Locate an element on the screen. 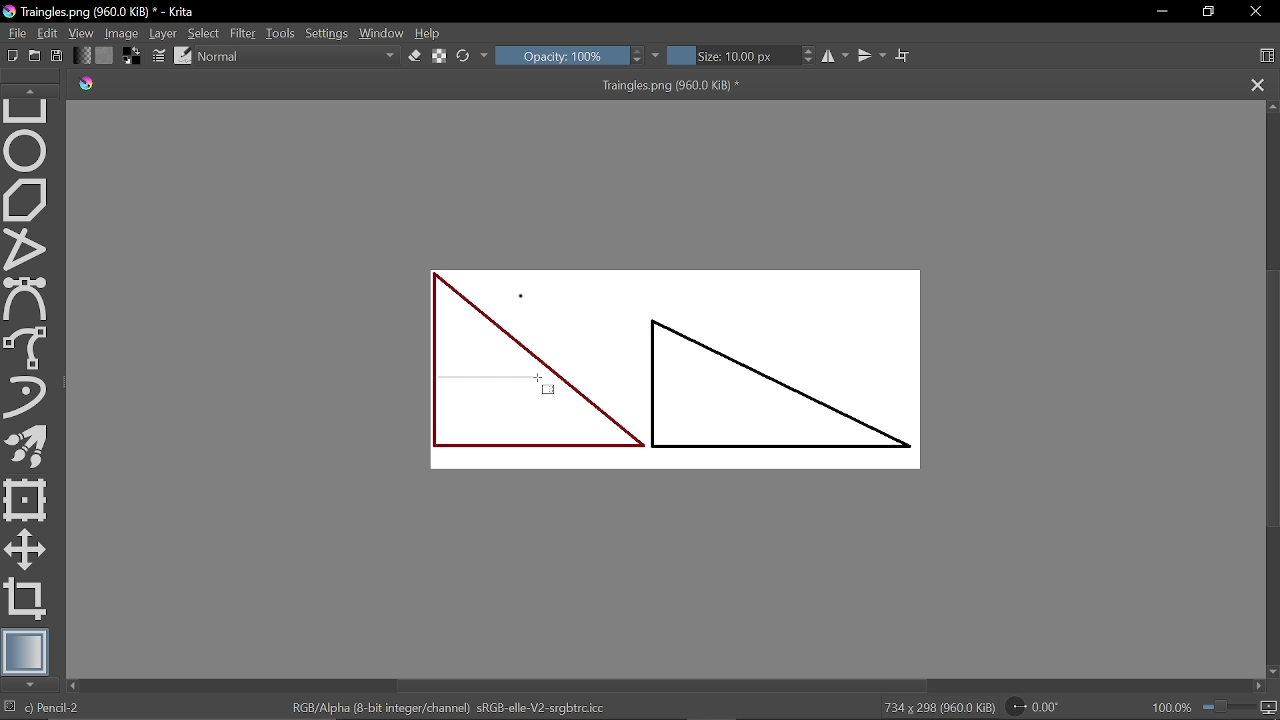  Vertical scrollbar is located at coordinates (1271, 399).